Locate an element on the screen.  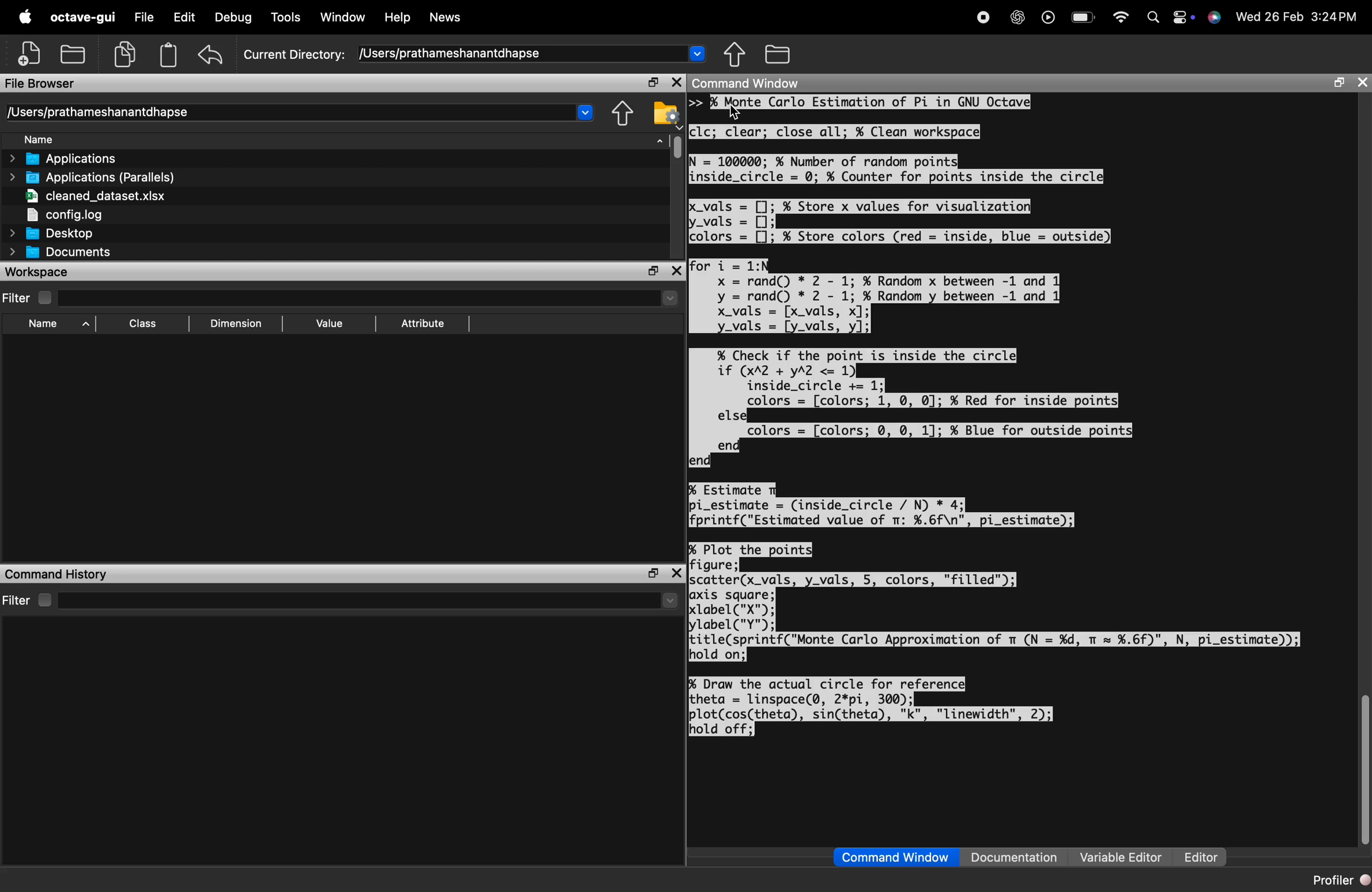
File is located at coordinates (144, 19).